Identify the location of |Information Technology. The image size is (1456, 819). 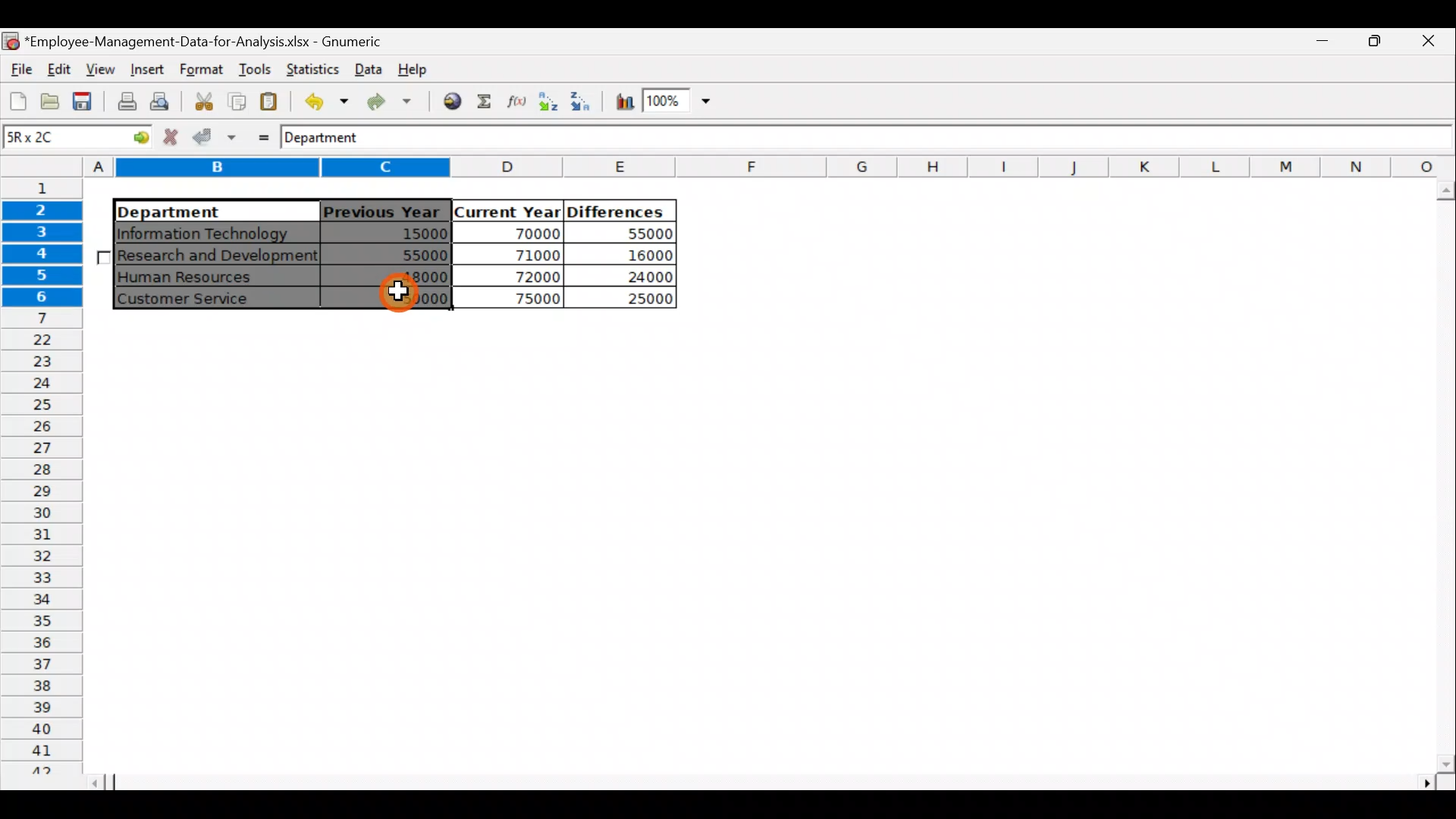
(215, 233).